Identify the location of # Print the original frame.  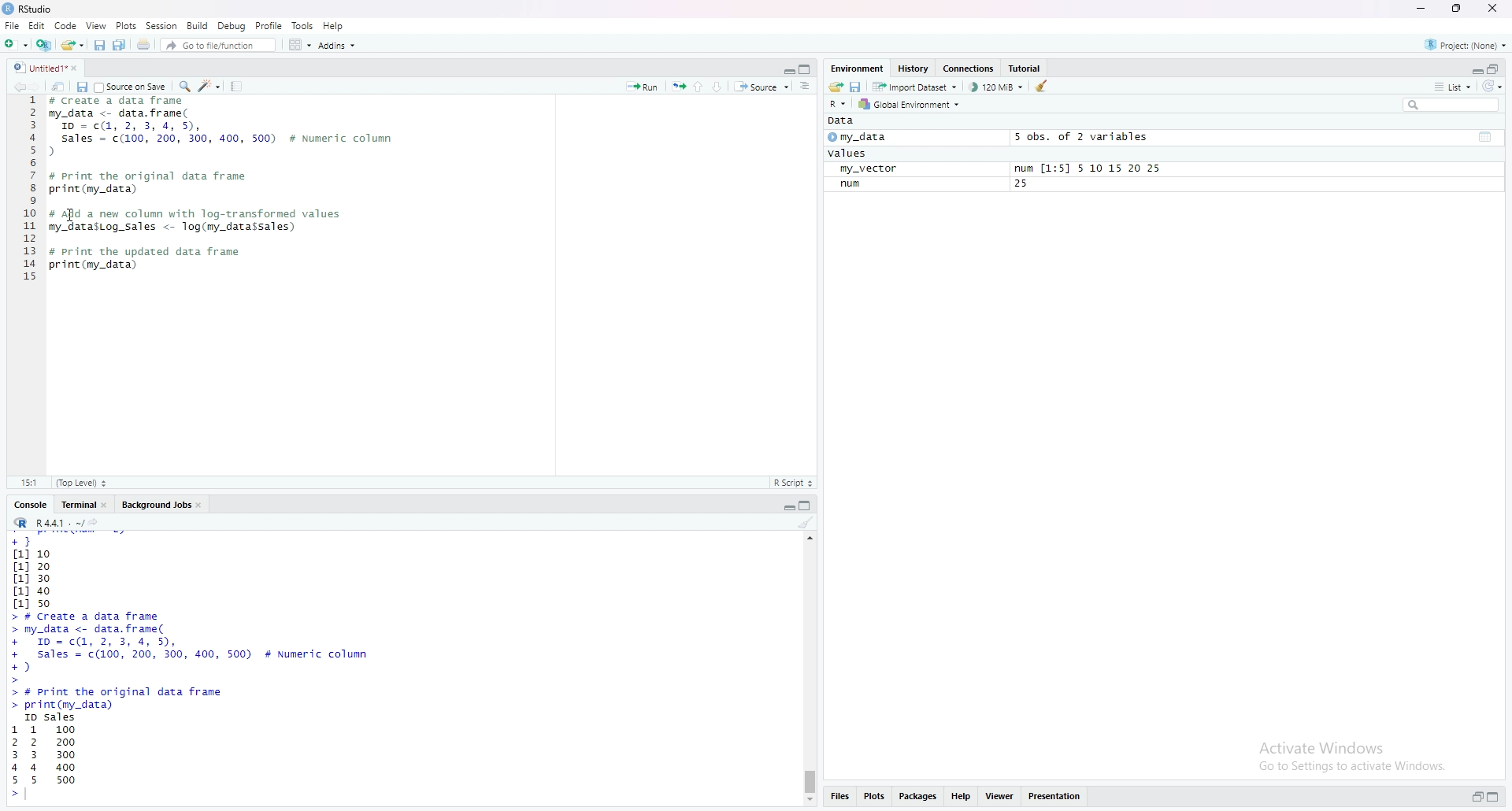
(165, 175).